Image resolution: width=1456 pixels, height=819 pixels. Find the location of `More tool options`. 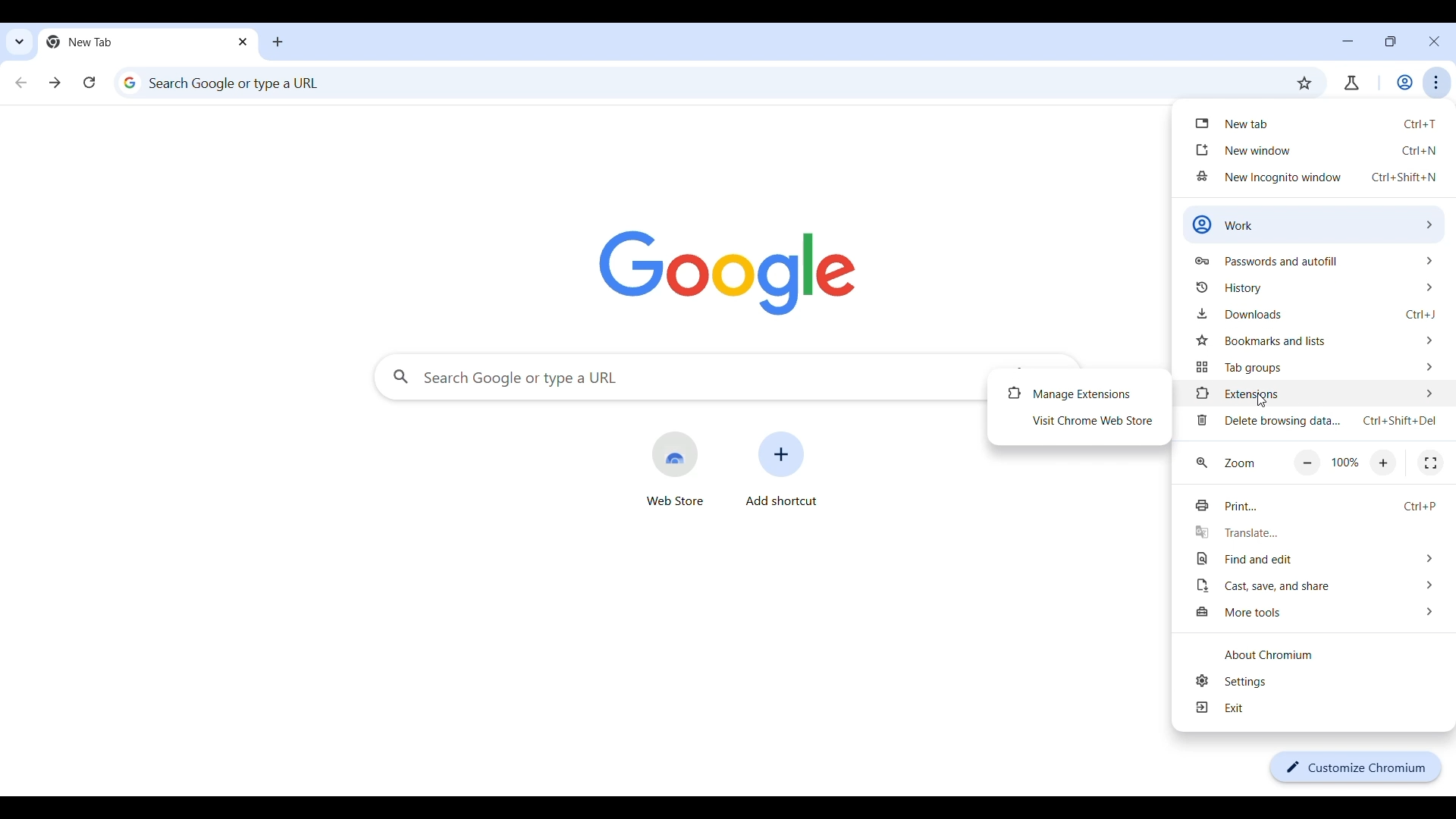

More tool options is located at coordinates (1319, 612).